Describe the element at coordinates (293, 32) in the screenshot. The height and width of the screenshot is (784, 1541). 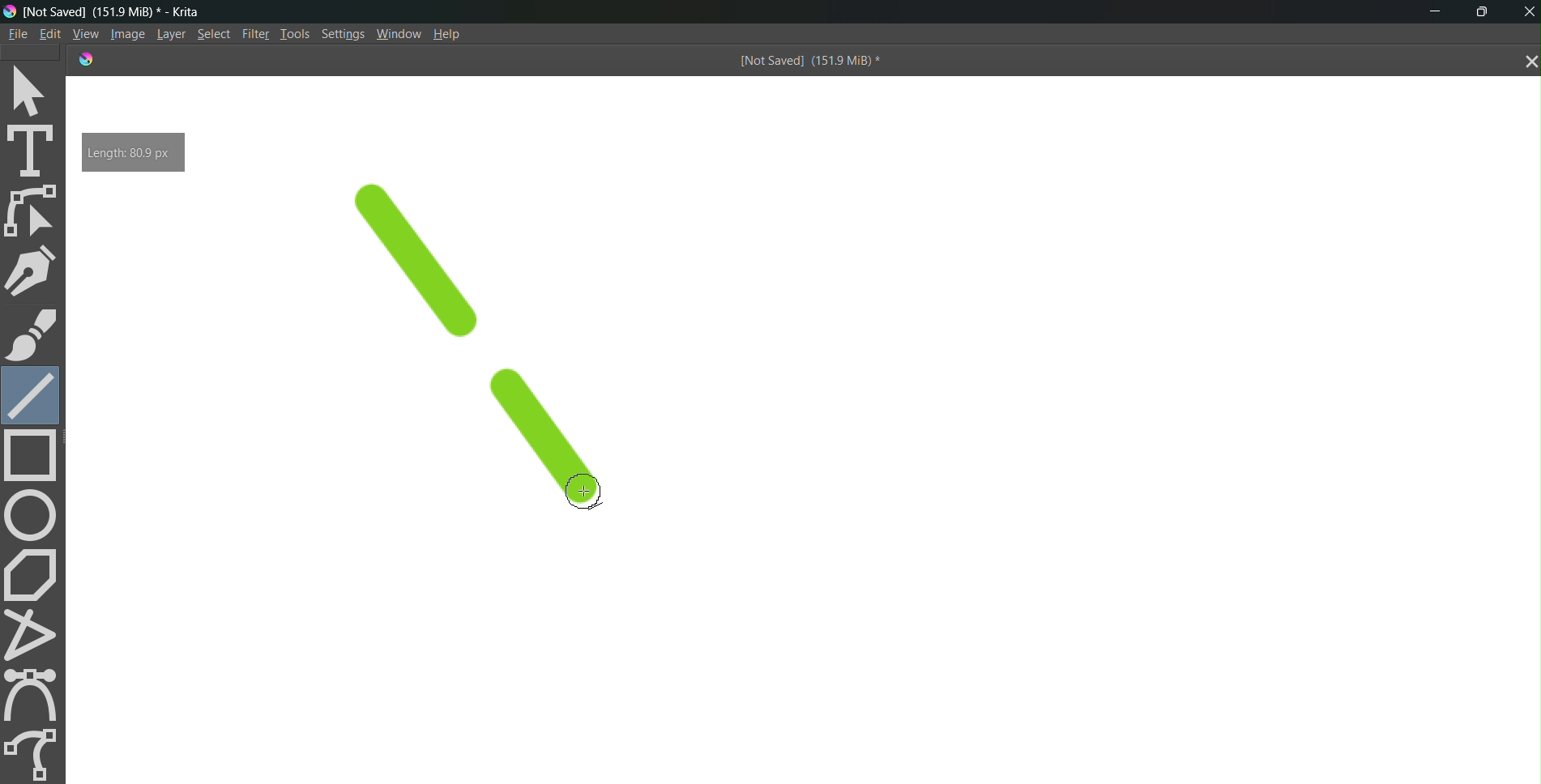
I see `Tools` at that location.